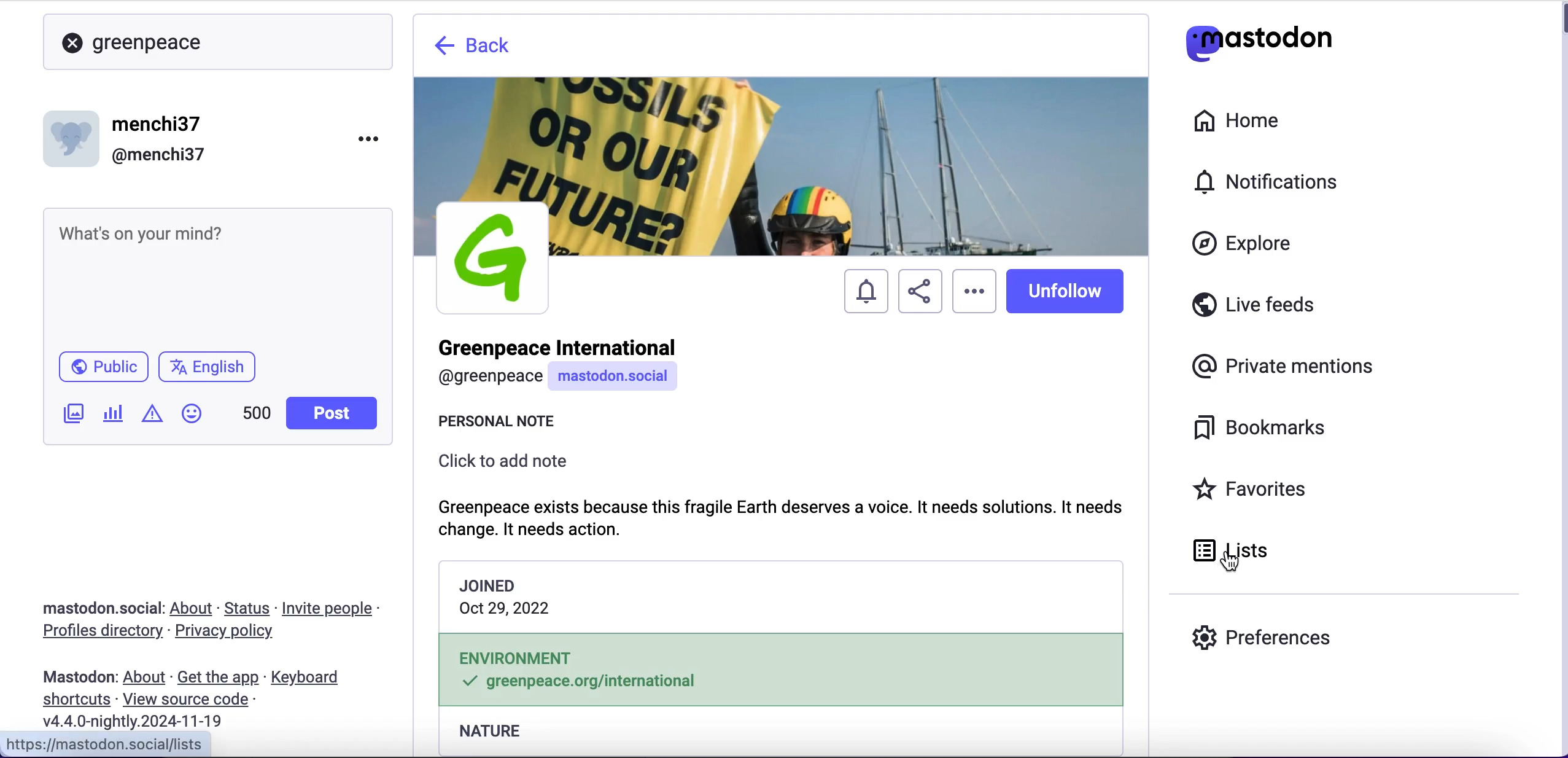  Describe the element at coordinates (72, 413) in the screenshot. I see `add an image` at that location.